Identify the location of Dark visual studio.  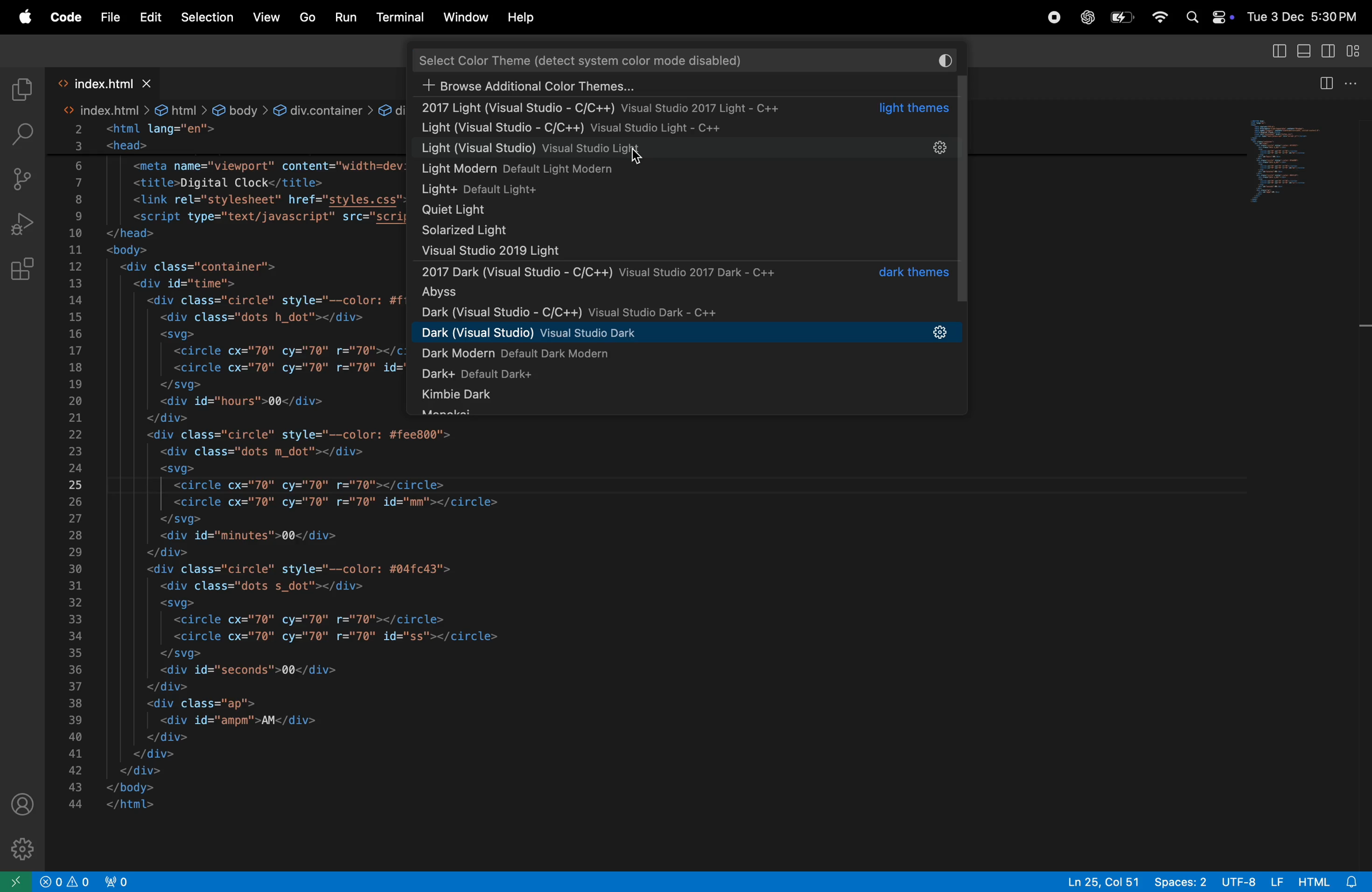
(683, 312).